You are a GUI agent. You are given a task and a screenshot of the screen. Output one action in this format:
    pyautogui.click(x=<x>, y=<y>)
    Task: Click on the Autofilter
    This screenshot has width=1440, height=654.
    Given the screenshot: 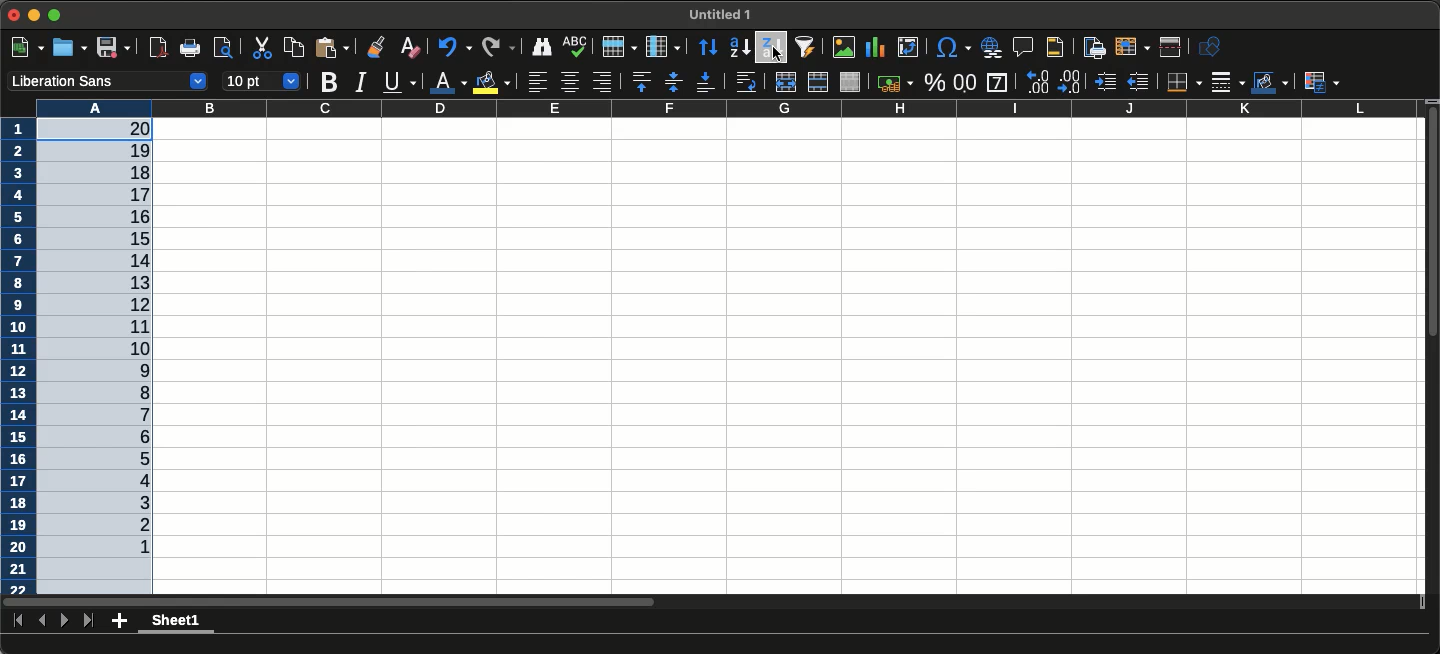 What is the action you would take?
    pyautogui.click(x=803, y=47)
    